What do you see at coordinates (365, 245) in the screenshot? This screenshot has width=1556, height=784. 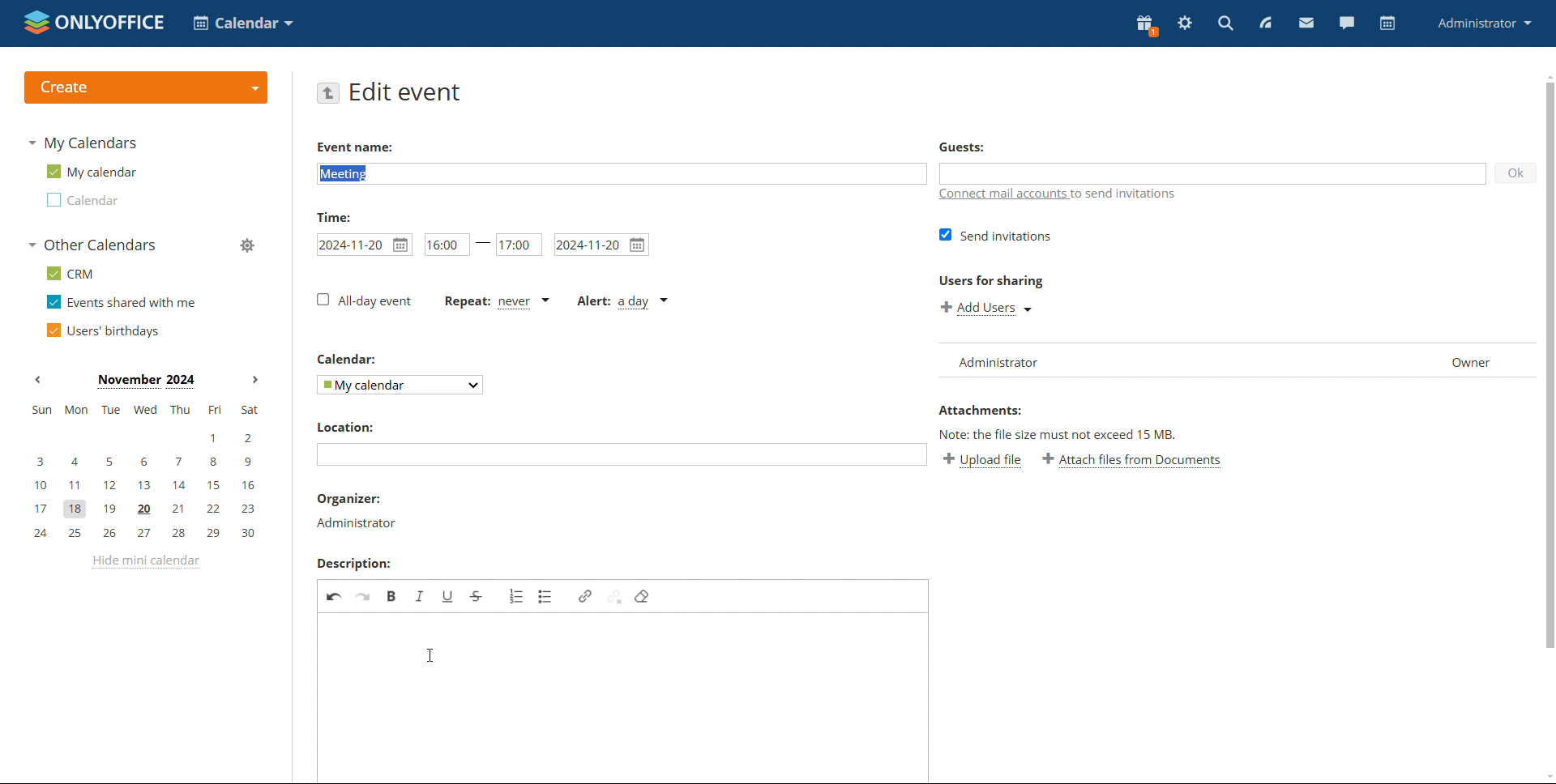 I see `start date` at bounding box center [365, 245].